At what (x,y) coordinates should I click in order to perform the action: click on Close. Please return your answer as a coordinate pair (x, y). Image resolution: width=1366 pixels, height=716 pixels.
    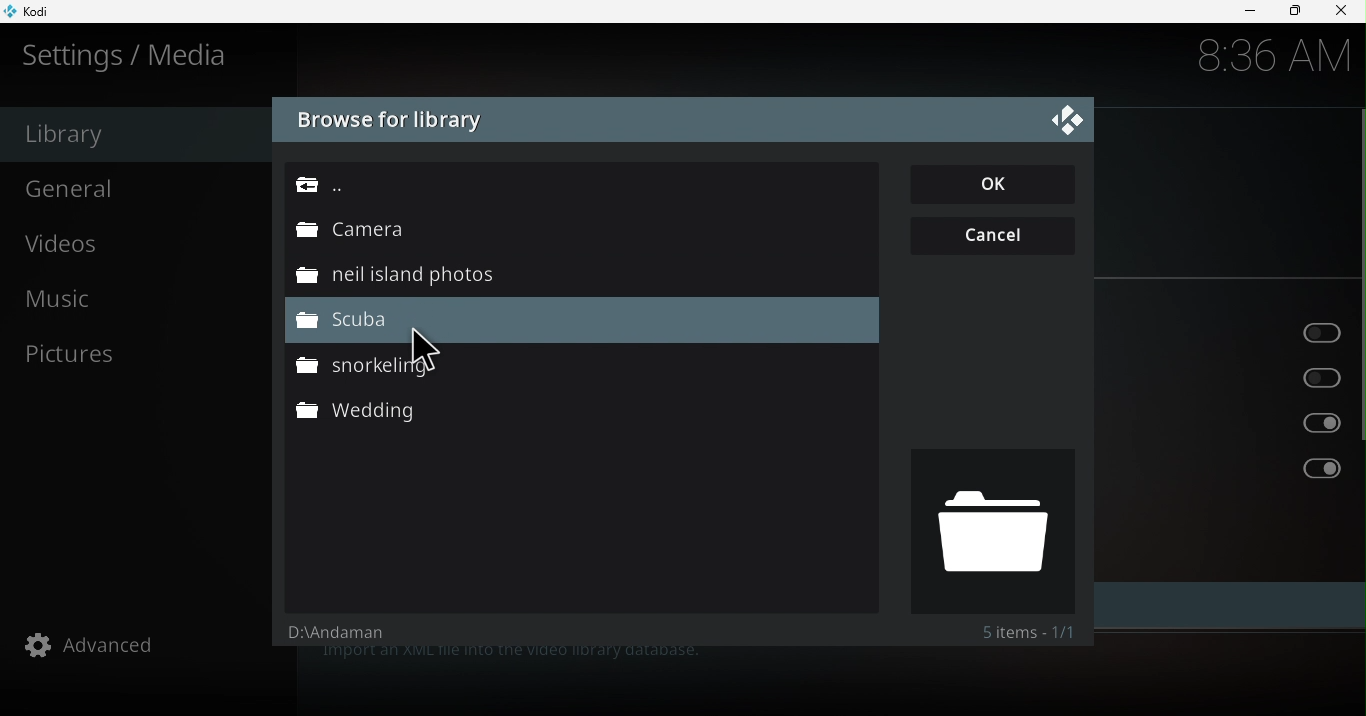
    Looking at the image, I should click on (1067, 118).